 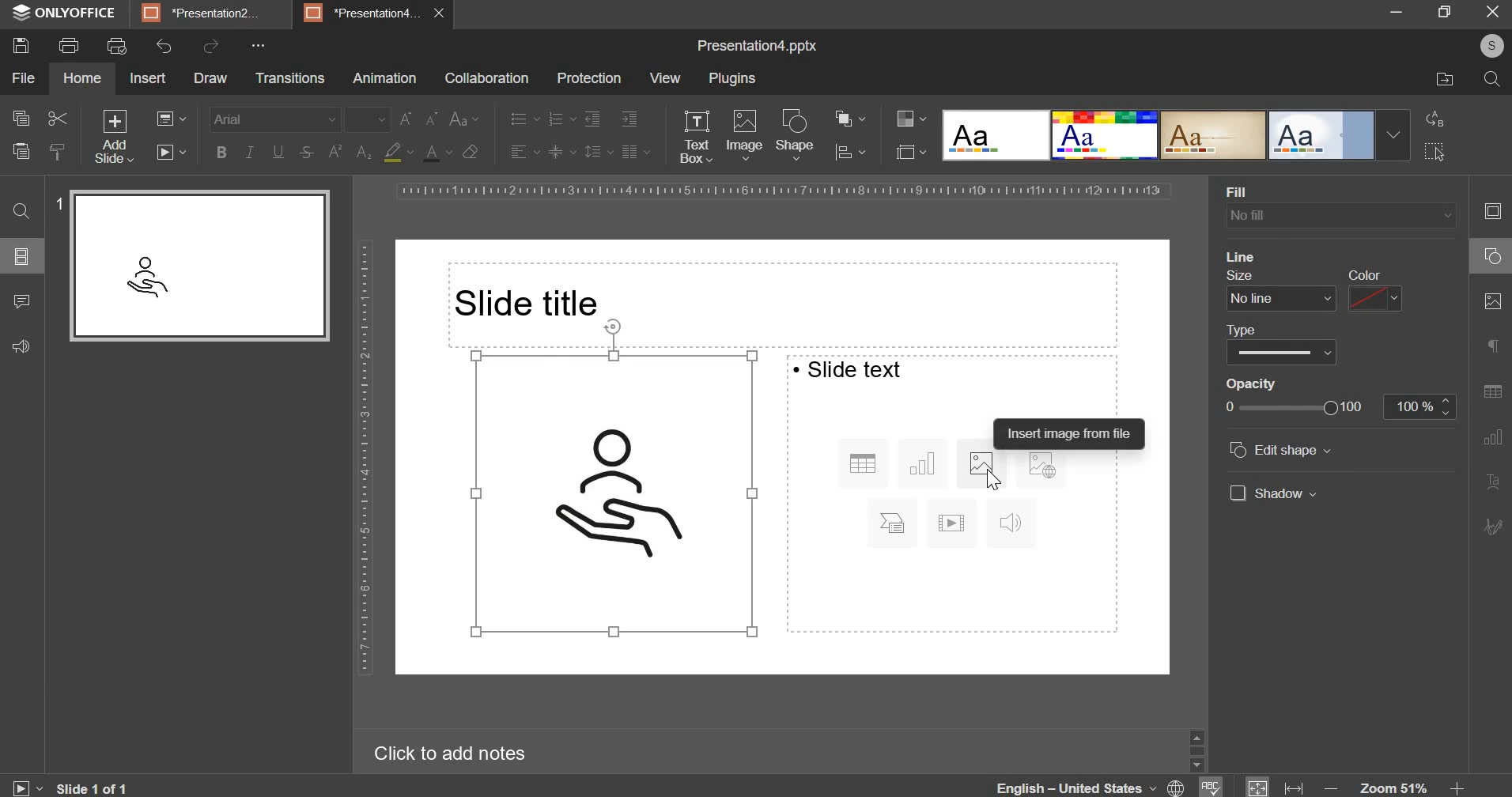 I want to click on select slide size, so click(x=907, y=151).